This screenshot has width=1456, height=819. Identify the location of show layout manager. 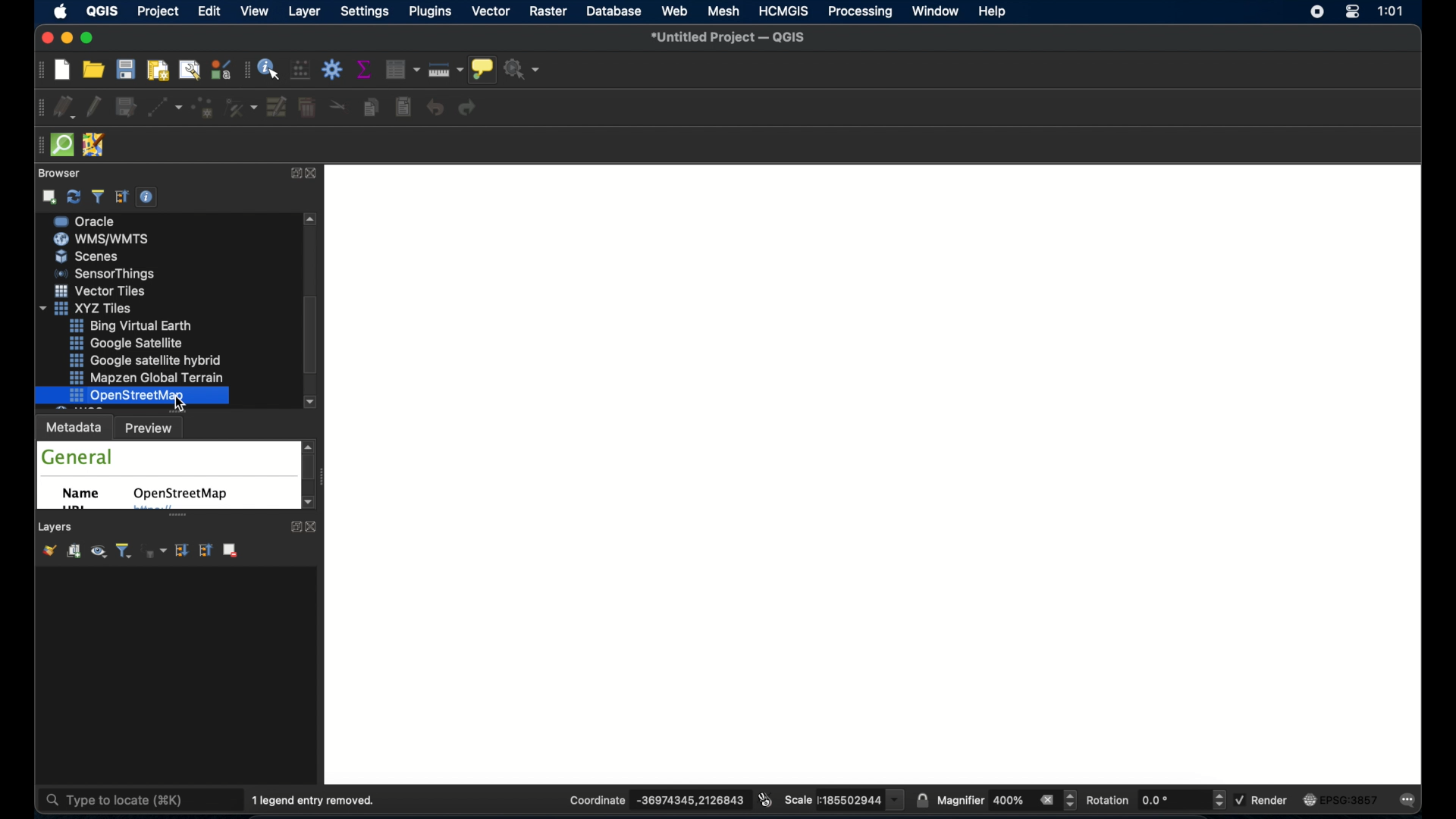
(187, 71).